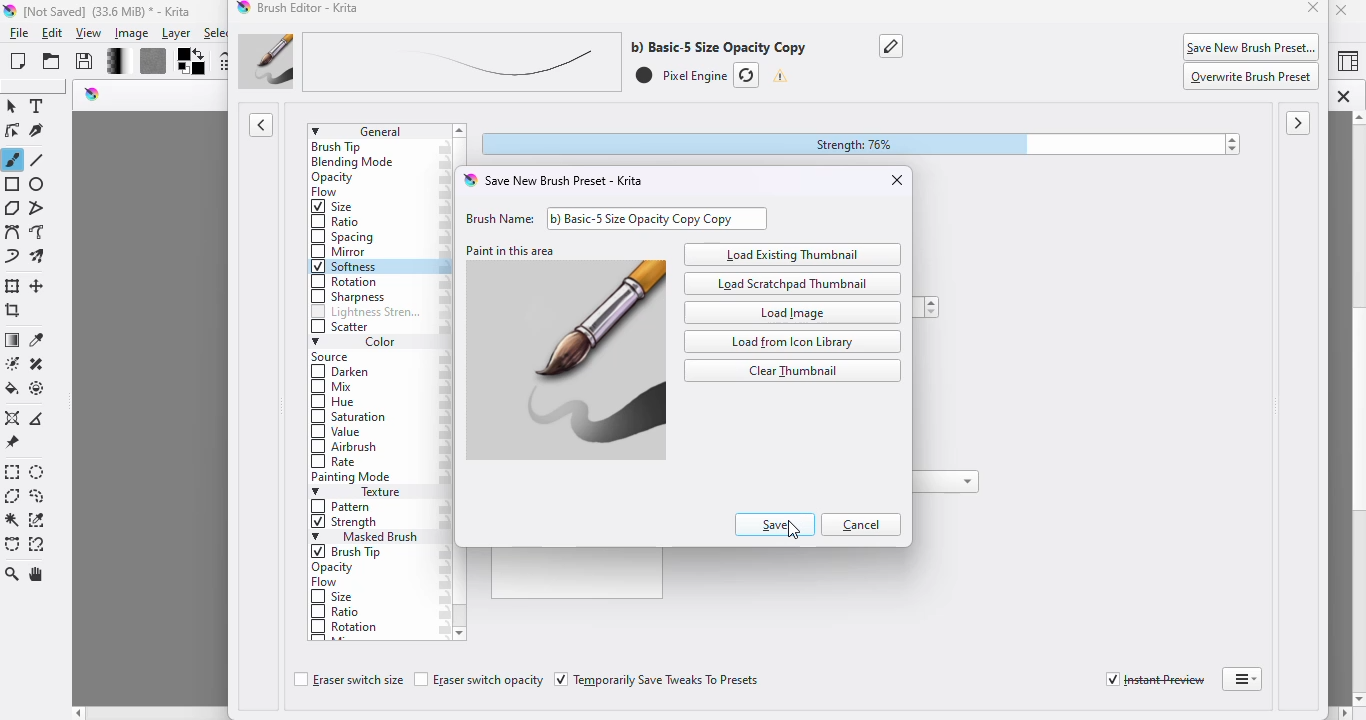 This screenshot has width=1366, height=720. I want to click on transform a layer or a section, so click(13, 286).